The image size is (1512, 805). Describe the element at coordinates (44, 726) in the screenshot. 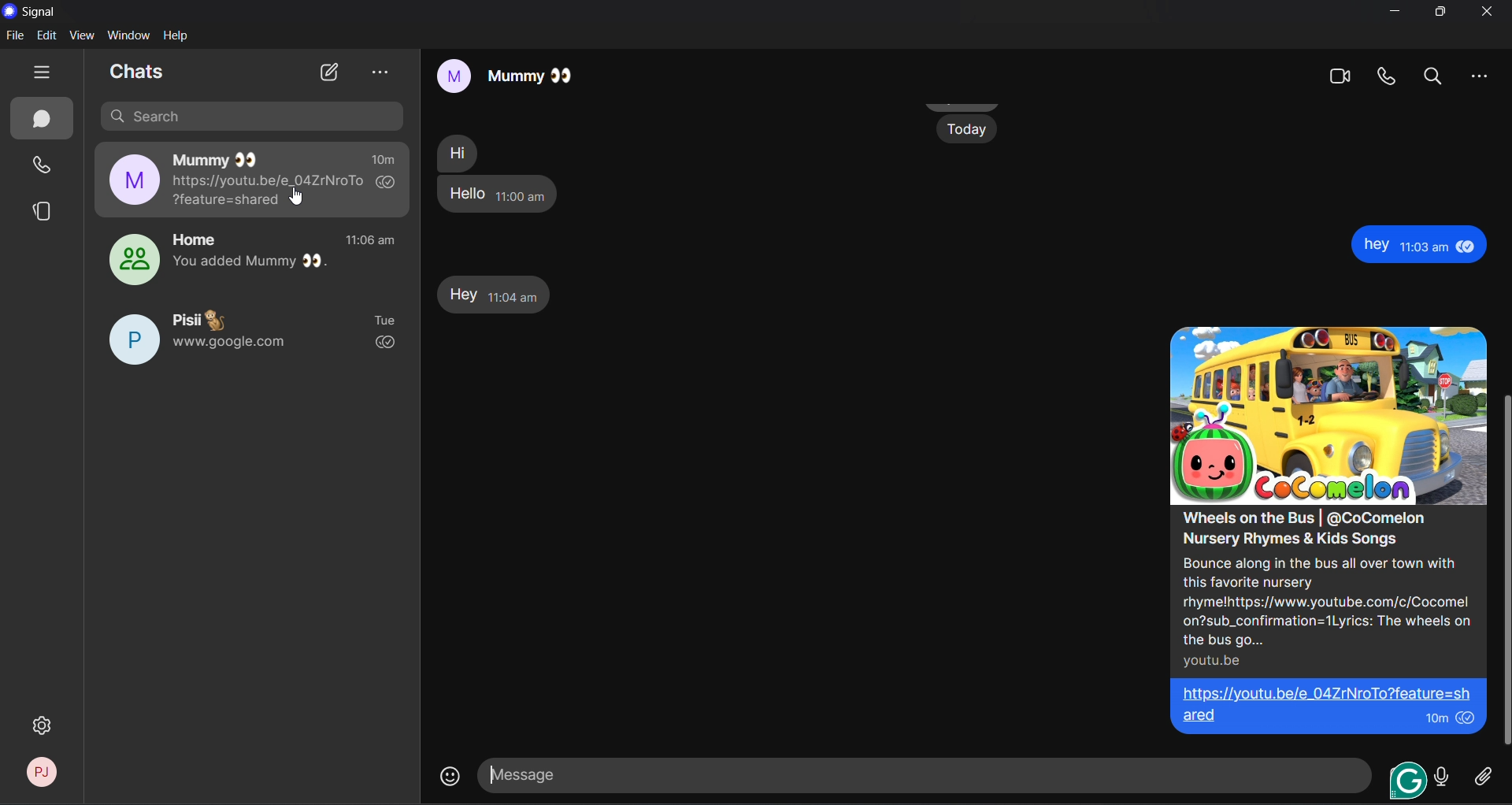

I see `settings` at that location.